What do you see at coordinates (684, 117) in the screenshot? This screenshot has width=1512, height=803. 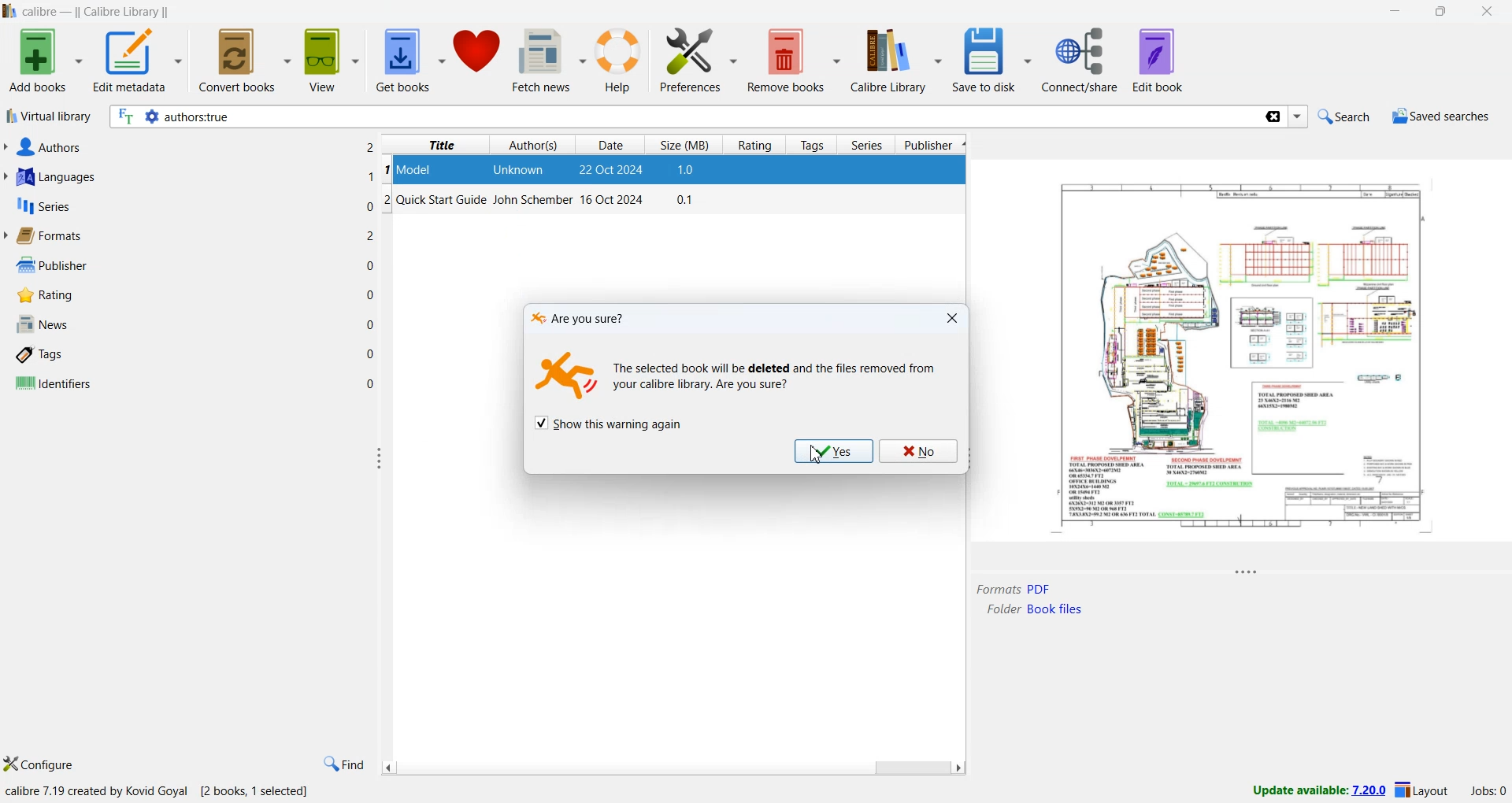 I see `search bar` at bounding box center [684, 117].